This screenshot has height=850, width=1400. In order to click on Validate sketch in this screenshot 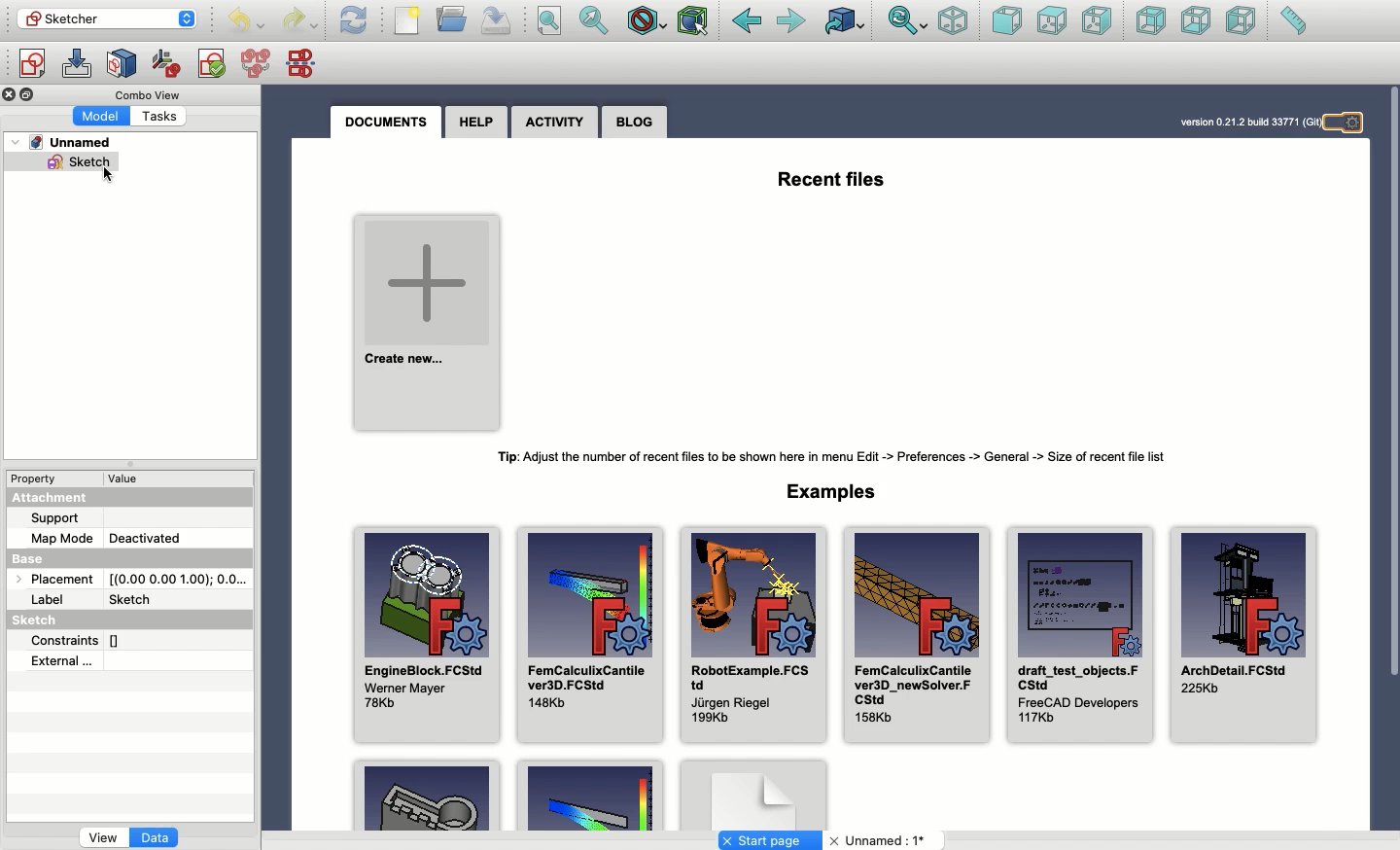, I will do `click(212, 67)`.